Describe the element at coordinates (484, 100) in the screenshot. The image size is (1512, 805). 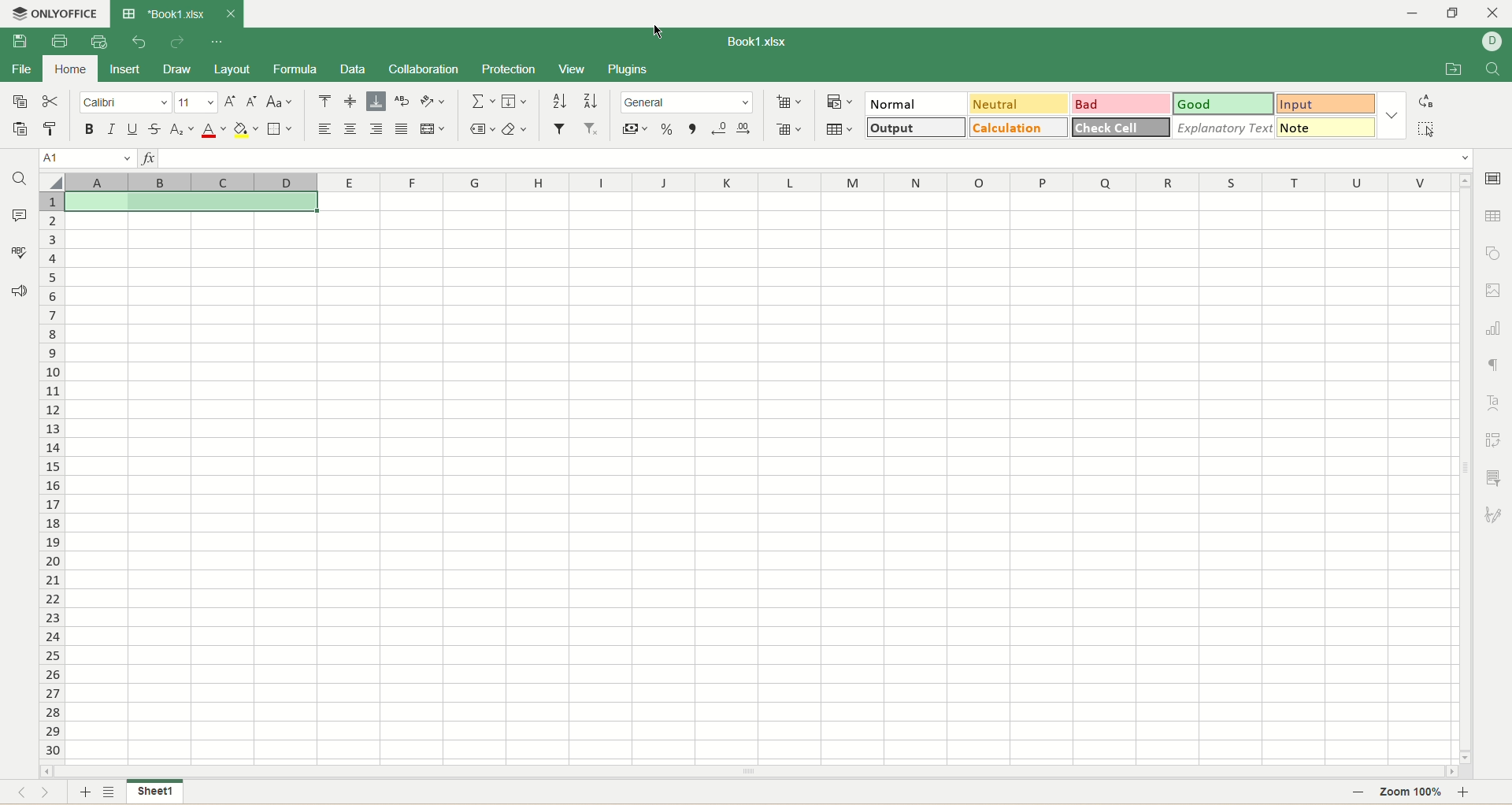
I see `summation` at that location.